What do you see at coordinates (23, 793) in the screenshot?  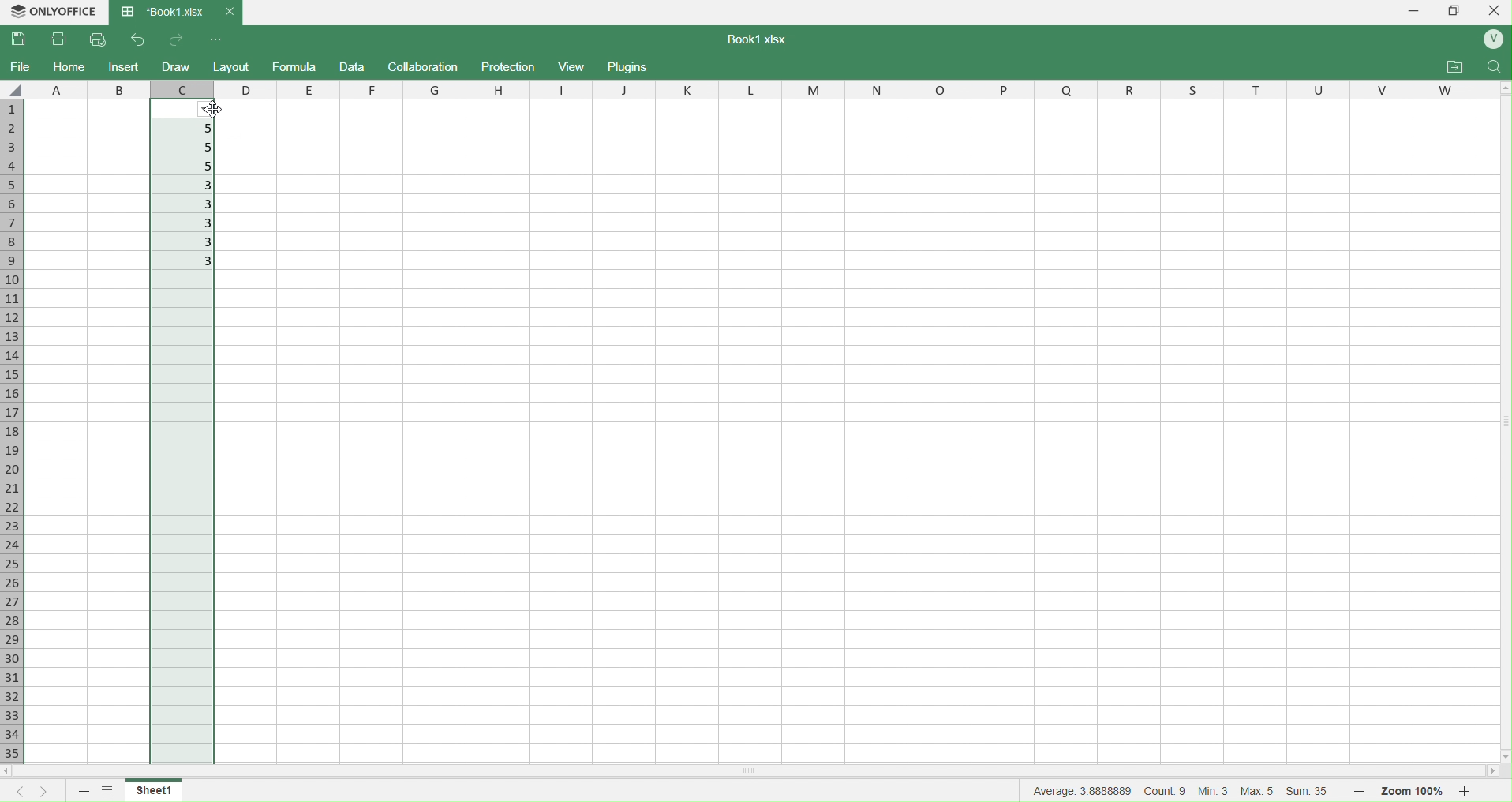 I see `previous sheet` at bounding box center [23, 793].